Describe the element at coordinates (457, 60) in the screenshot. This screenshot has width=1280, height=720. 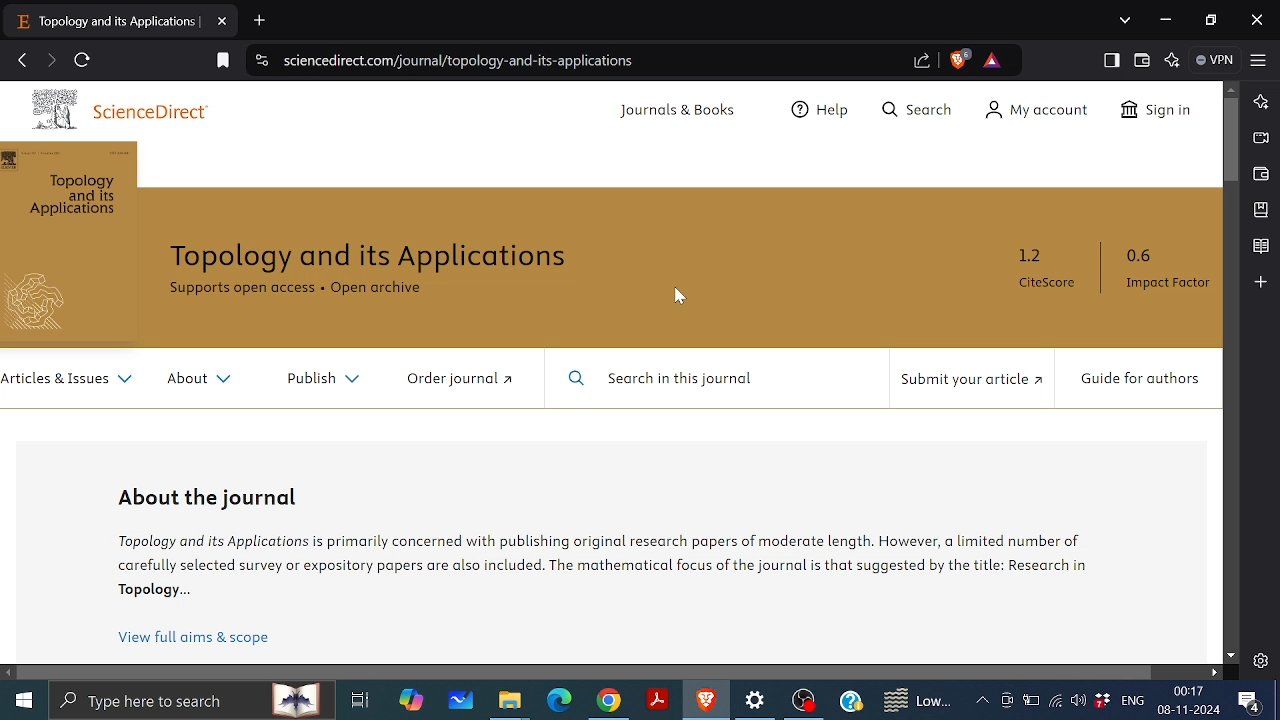
I see `sciencedirect.com/journal/topology-and-its-applications` at that location.